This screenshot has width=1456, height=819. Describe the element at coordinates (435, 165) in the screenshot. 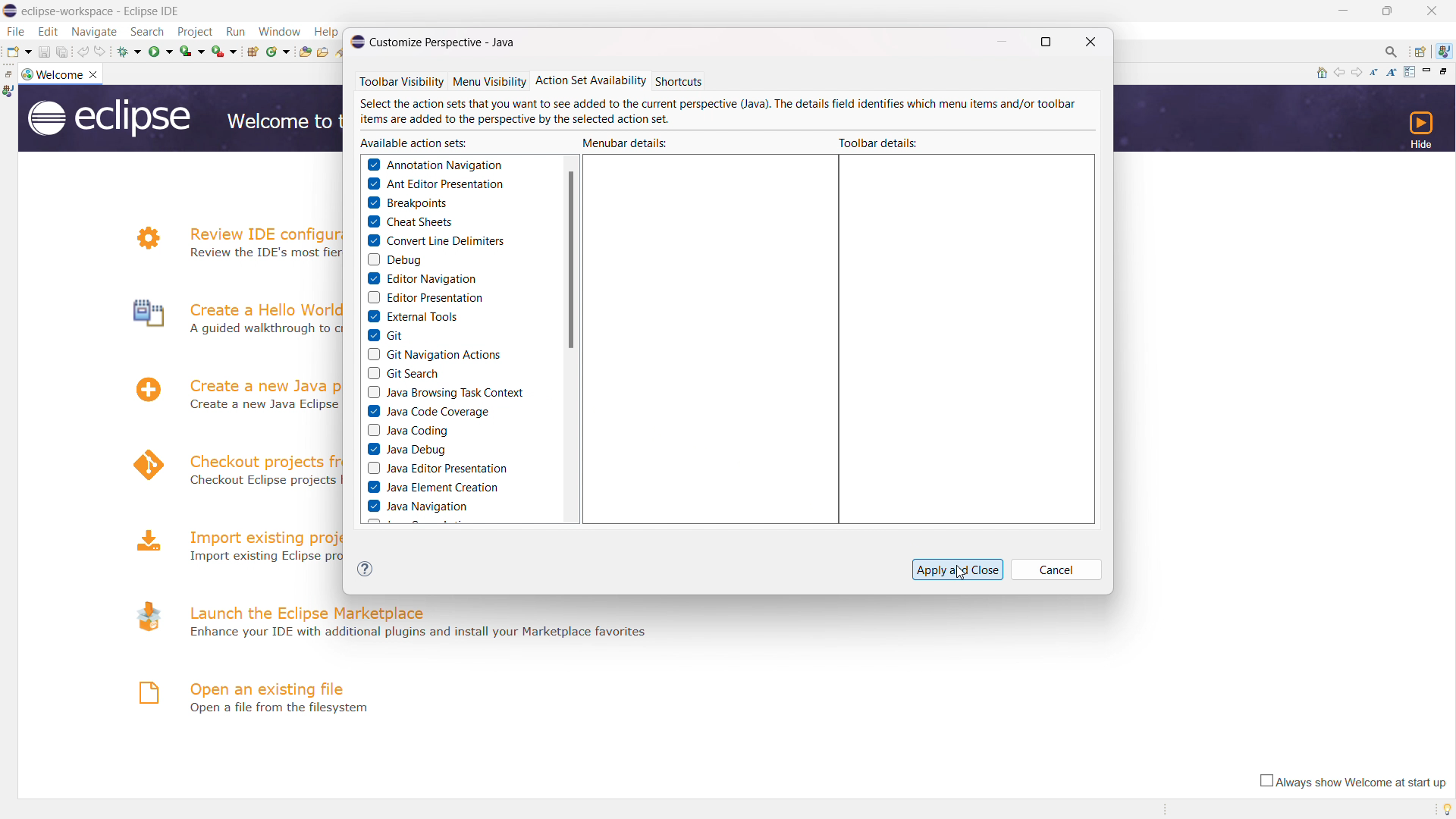

I see `annotation navigation` at that location.